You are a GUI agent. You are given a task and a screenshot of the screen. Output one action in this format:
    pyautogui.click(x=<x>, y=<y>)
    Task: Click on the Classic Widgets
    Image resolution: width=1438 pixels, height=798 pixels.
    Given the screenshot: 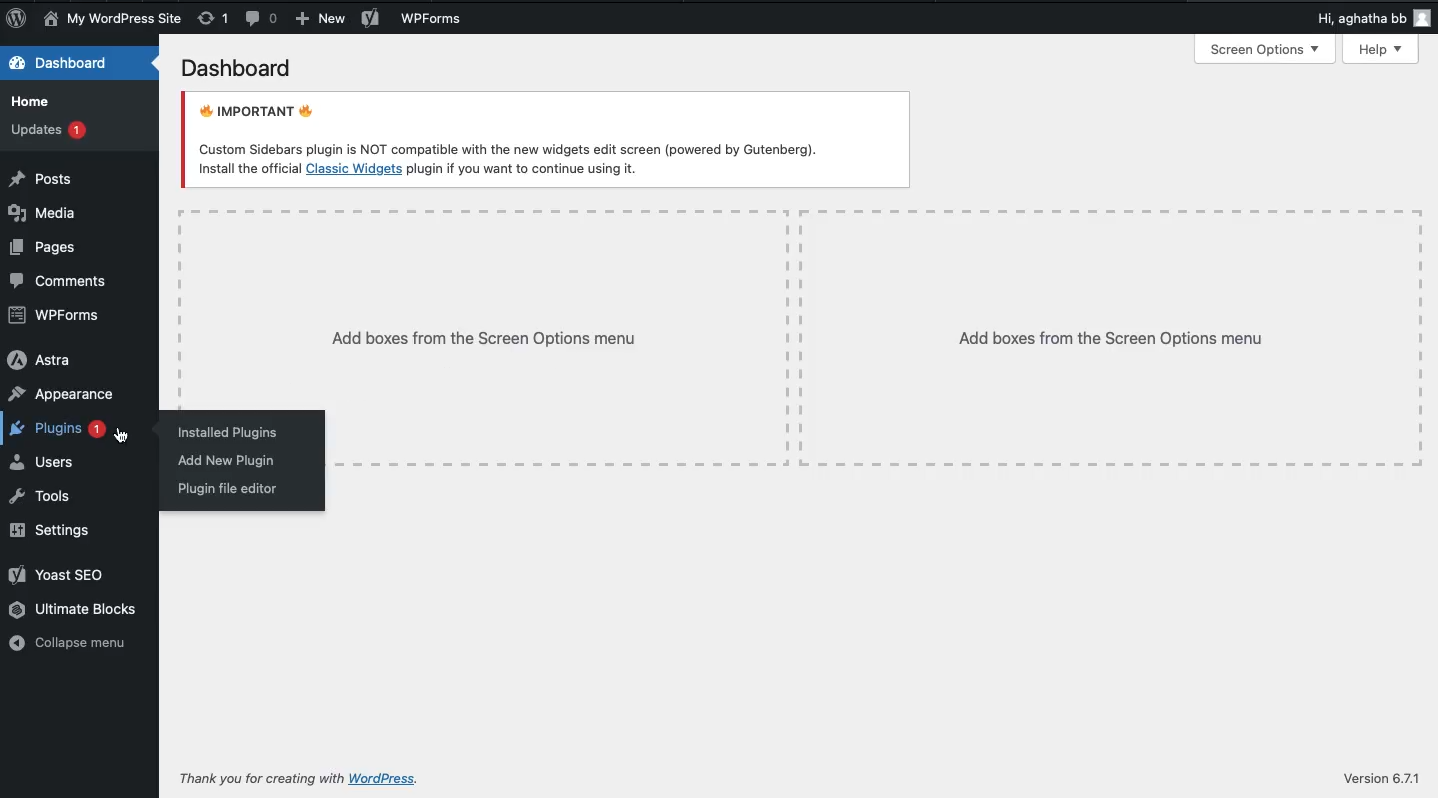 What is the action you would take?
    pyautogui.click(x=354, y=169)
    